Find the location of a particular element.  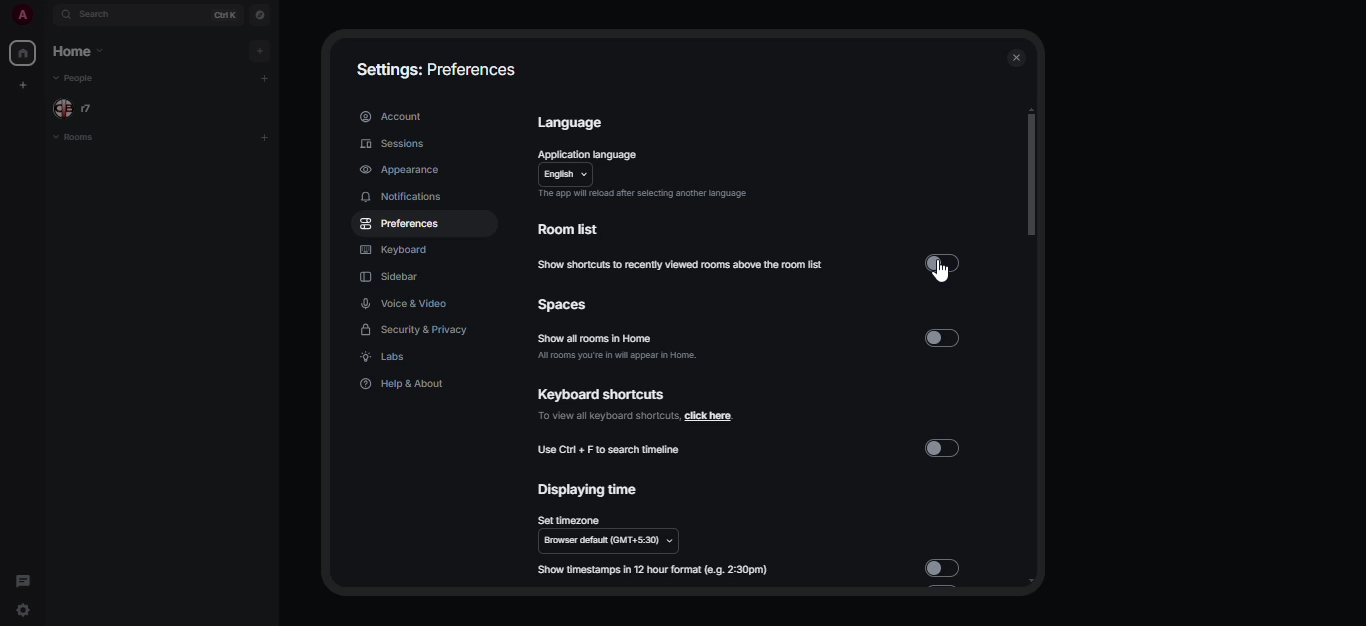

people is located at coordinates (81, 79).